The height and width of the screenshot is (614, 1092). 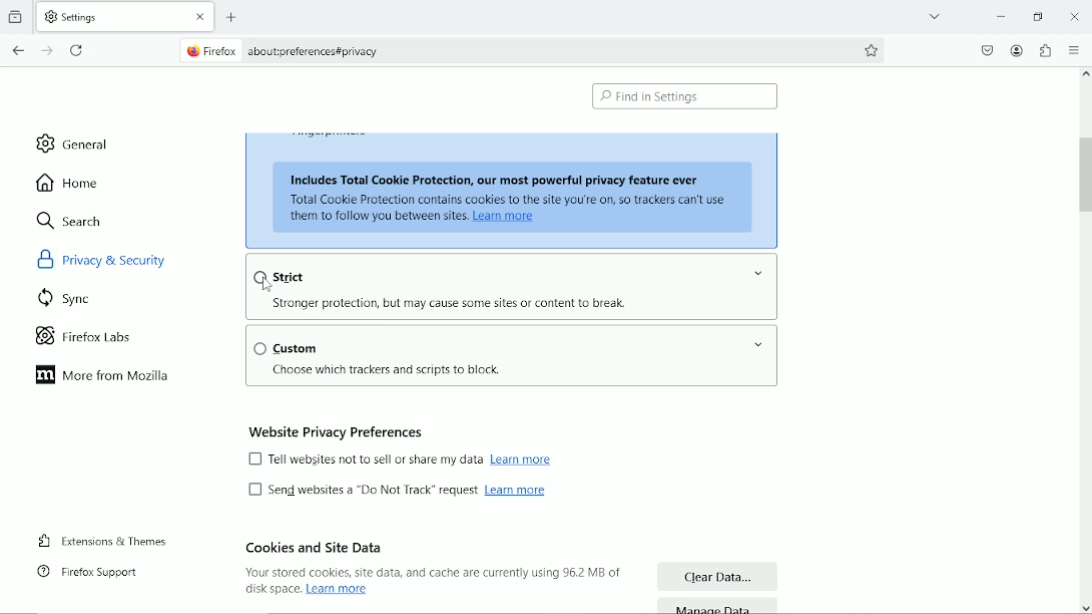 I want to click on firefox support, so click(x=84, y=572).